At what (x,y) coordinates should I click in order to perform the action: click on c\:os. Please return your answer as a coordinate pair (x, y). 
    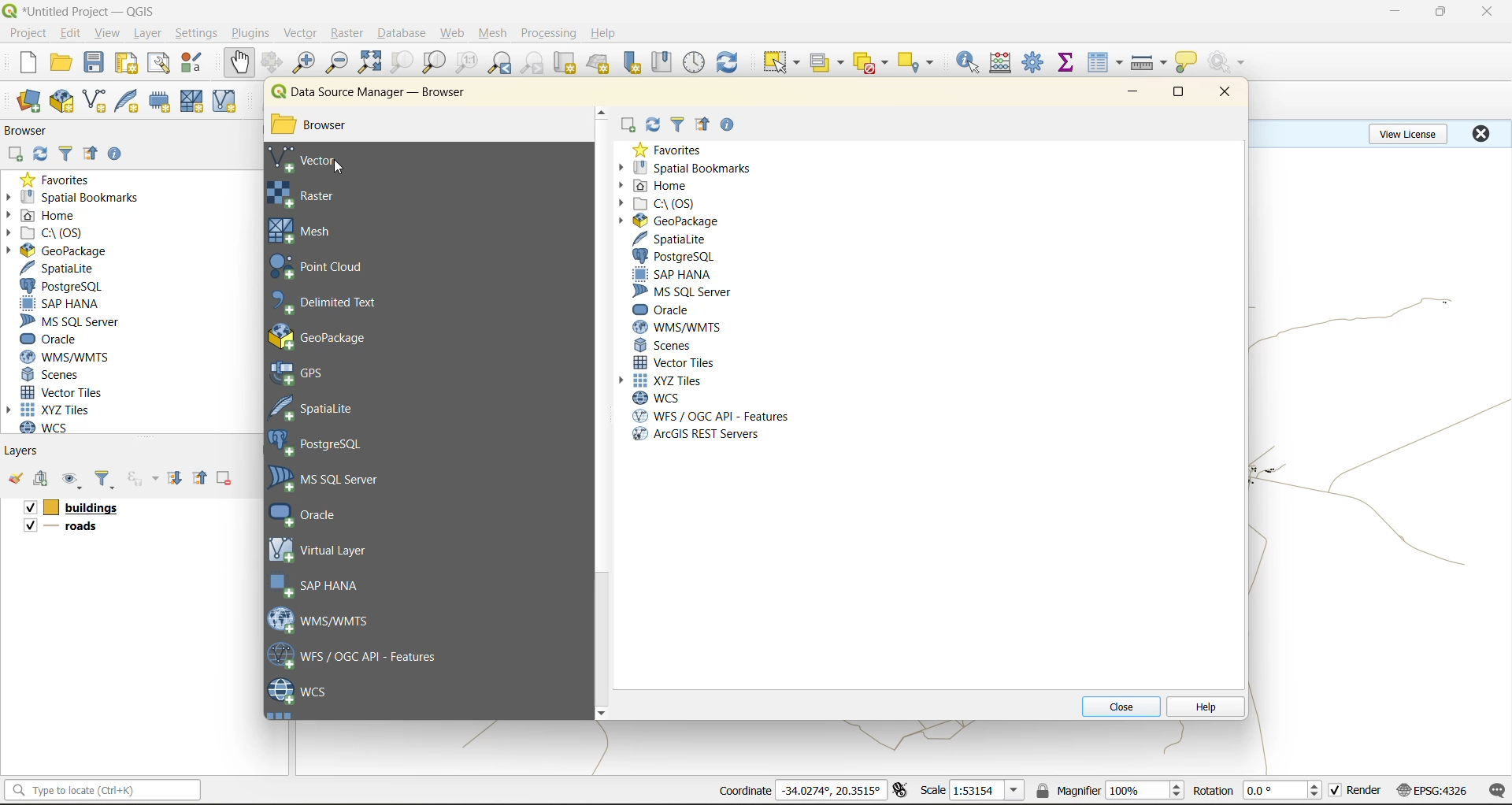
    Looking at the image, I should click on (51, 233).